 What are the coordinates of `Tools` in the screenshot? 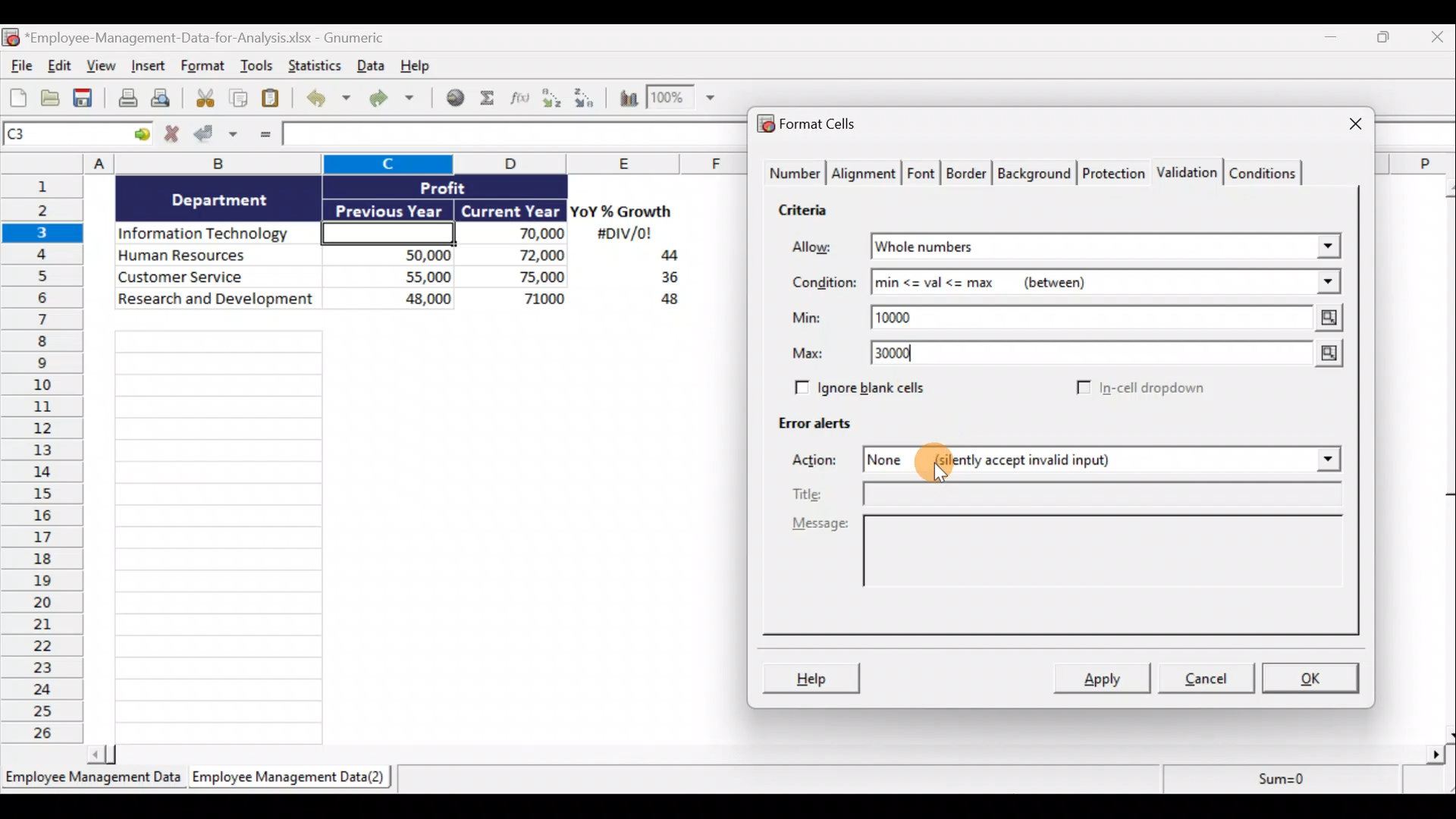 It's located at (257, 67).